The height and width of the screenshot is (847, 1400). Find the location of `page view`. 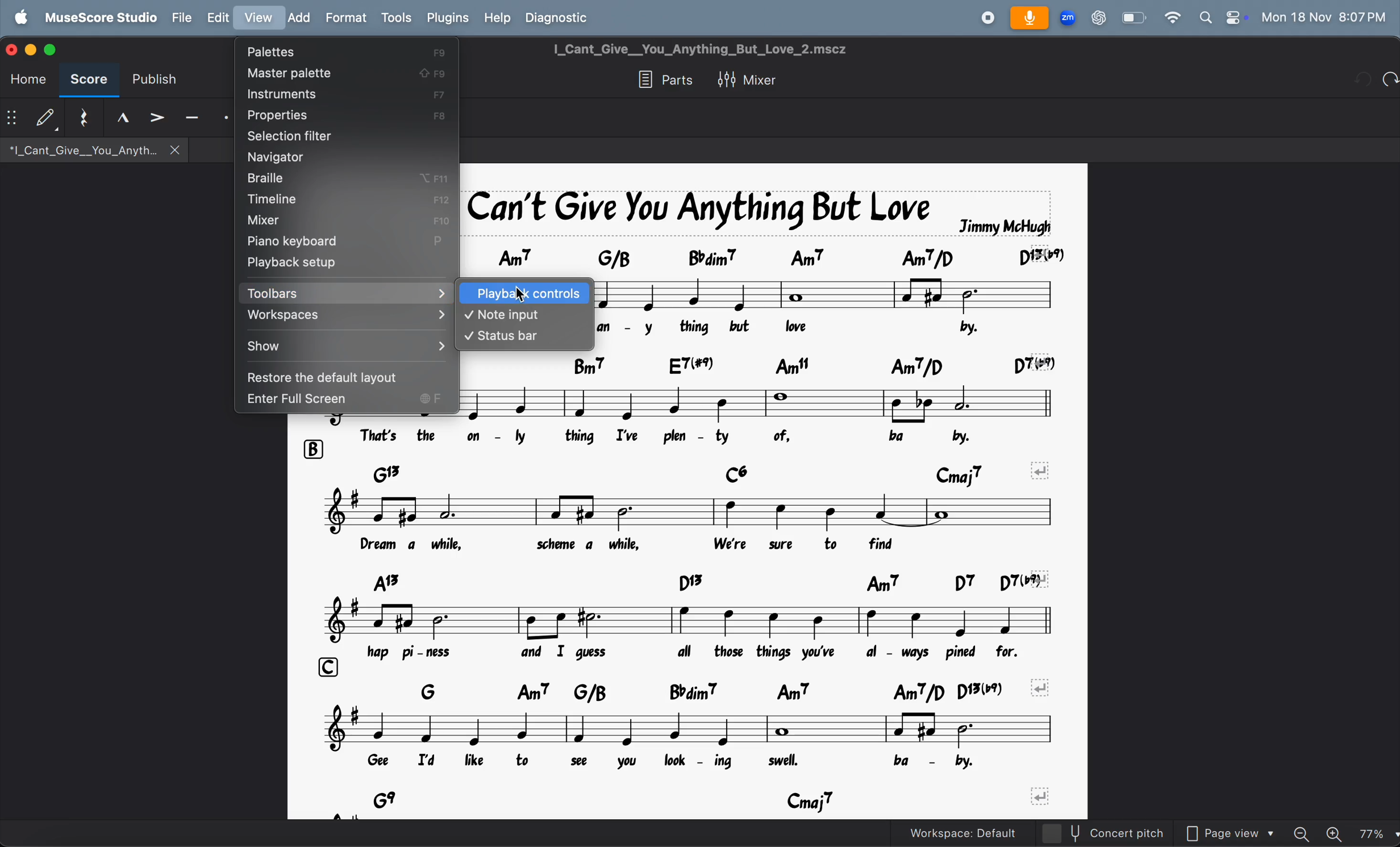

page view is located at coordinates (1226, 834).